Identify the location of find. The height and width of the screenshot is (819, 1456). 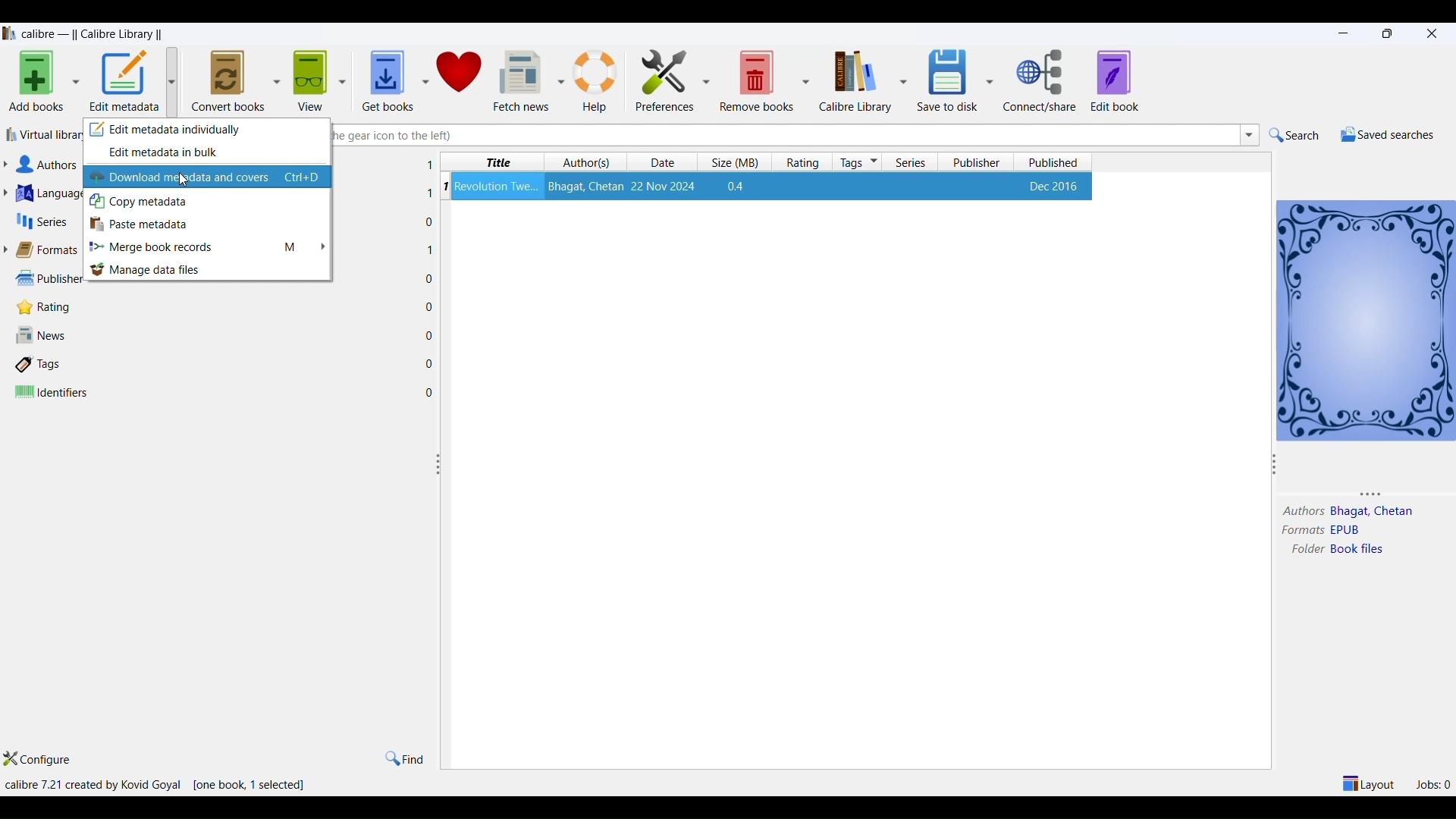
(407, 757).